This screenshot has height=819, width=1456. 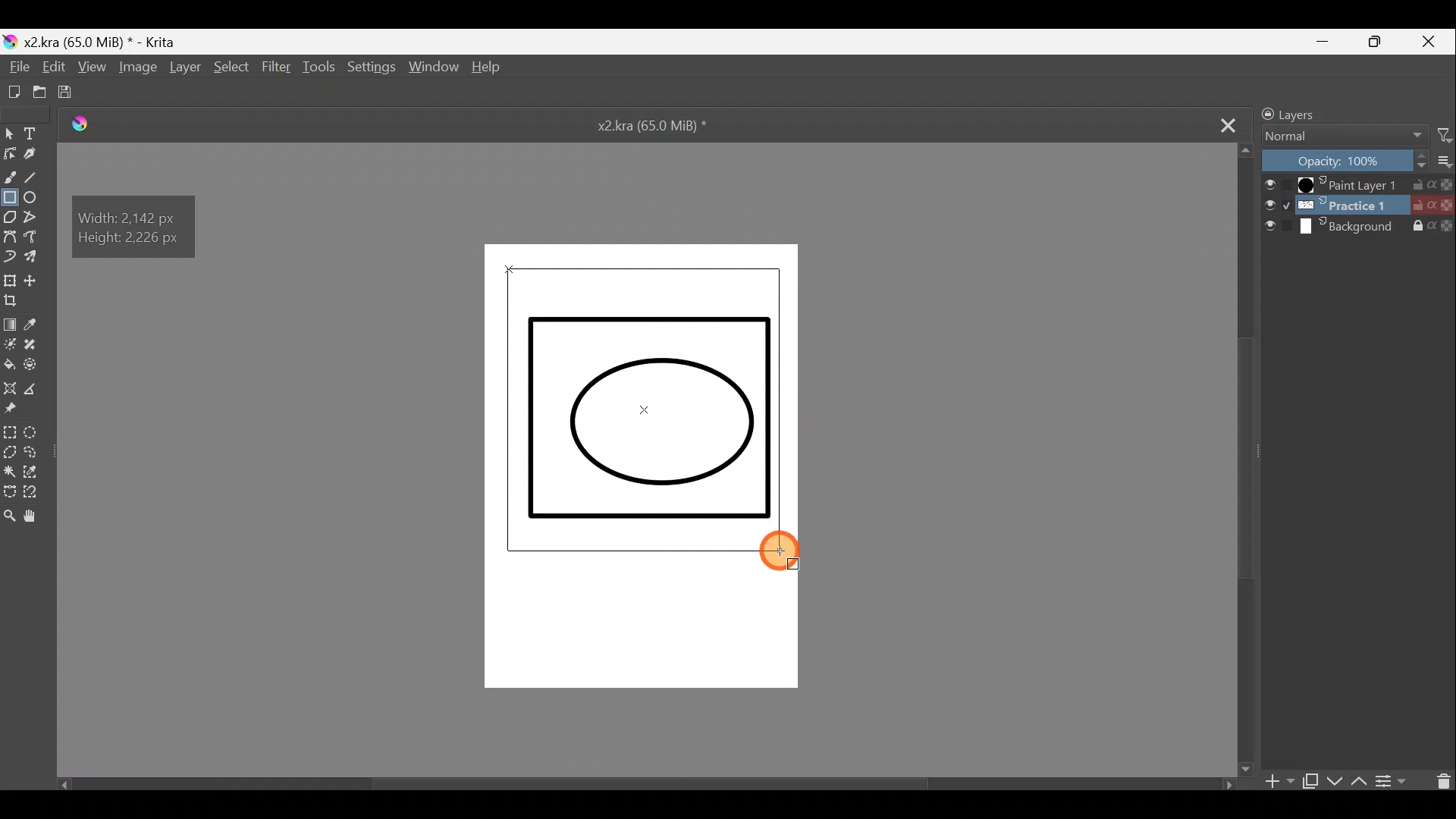 What do you see at coordinates (43, 325) in the screenshot?
I see `Sample a colour from image/current layer` at bounding box center [43, 325].